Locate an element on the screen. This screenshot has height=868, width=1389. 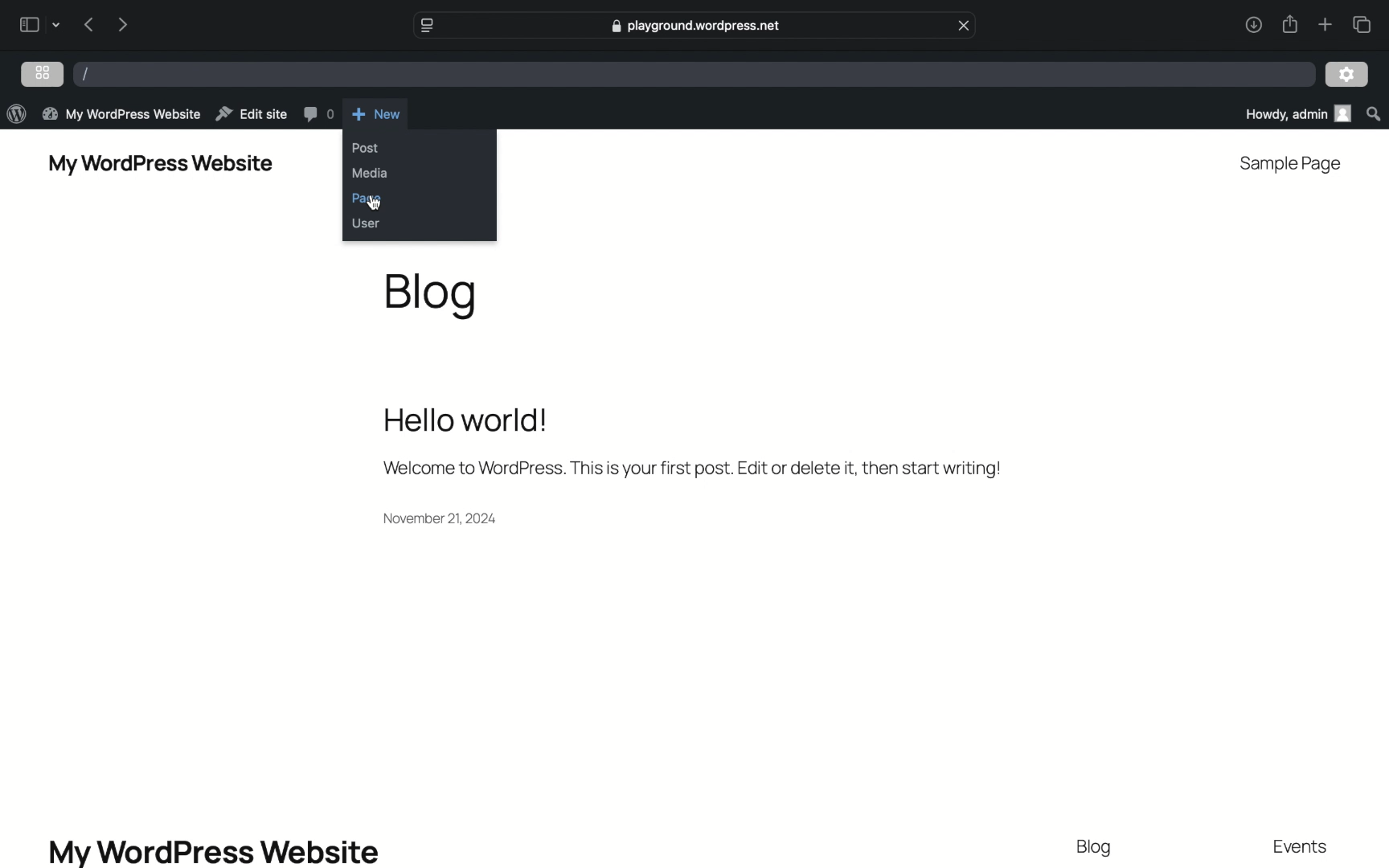
new is located at coordinates (378, 113).